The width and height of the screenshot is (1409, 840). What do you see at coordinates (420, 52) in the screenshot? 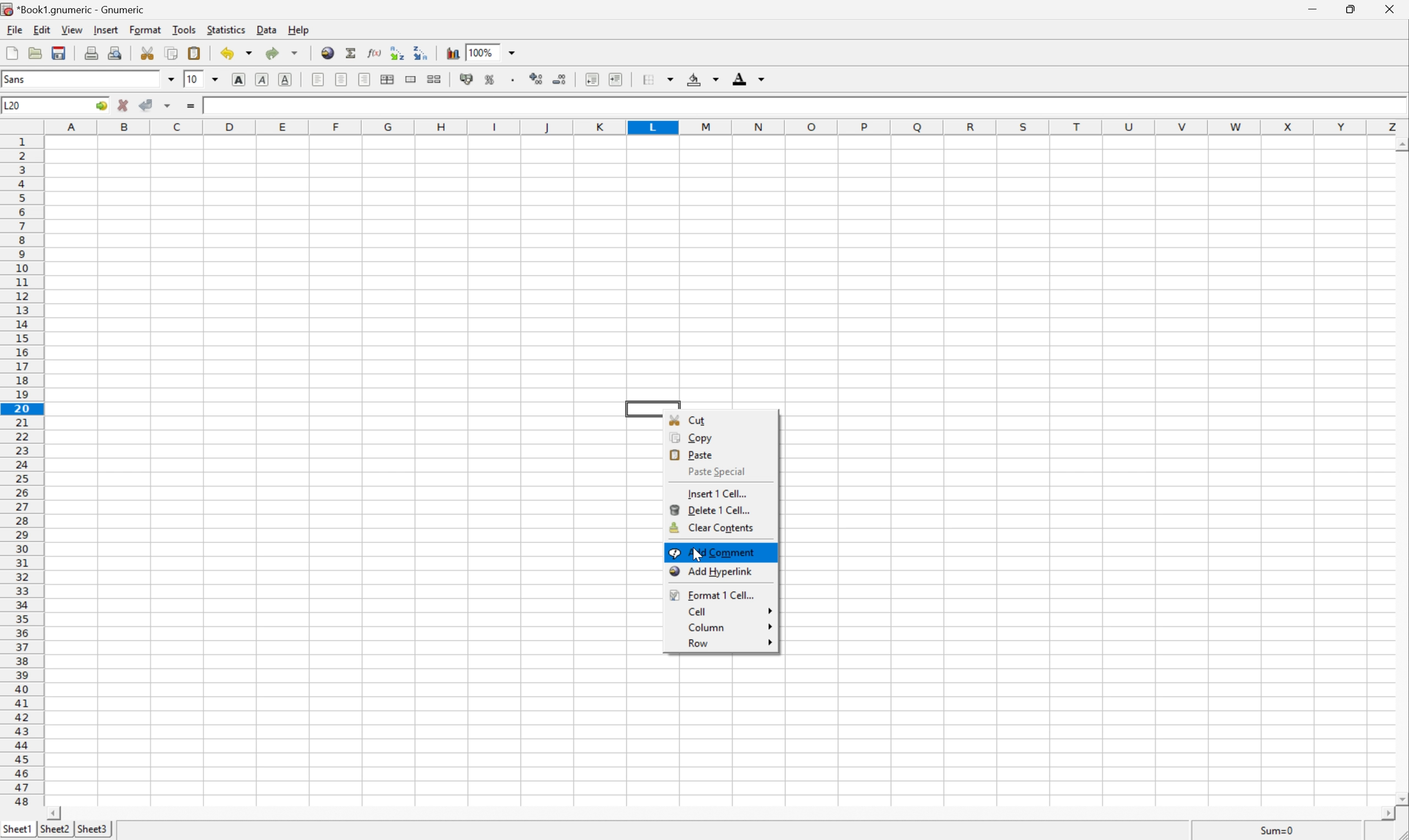
I see `Sort the selected region in descending order based on the first column selected` at bounding box center [420, 52].